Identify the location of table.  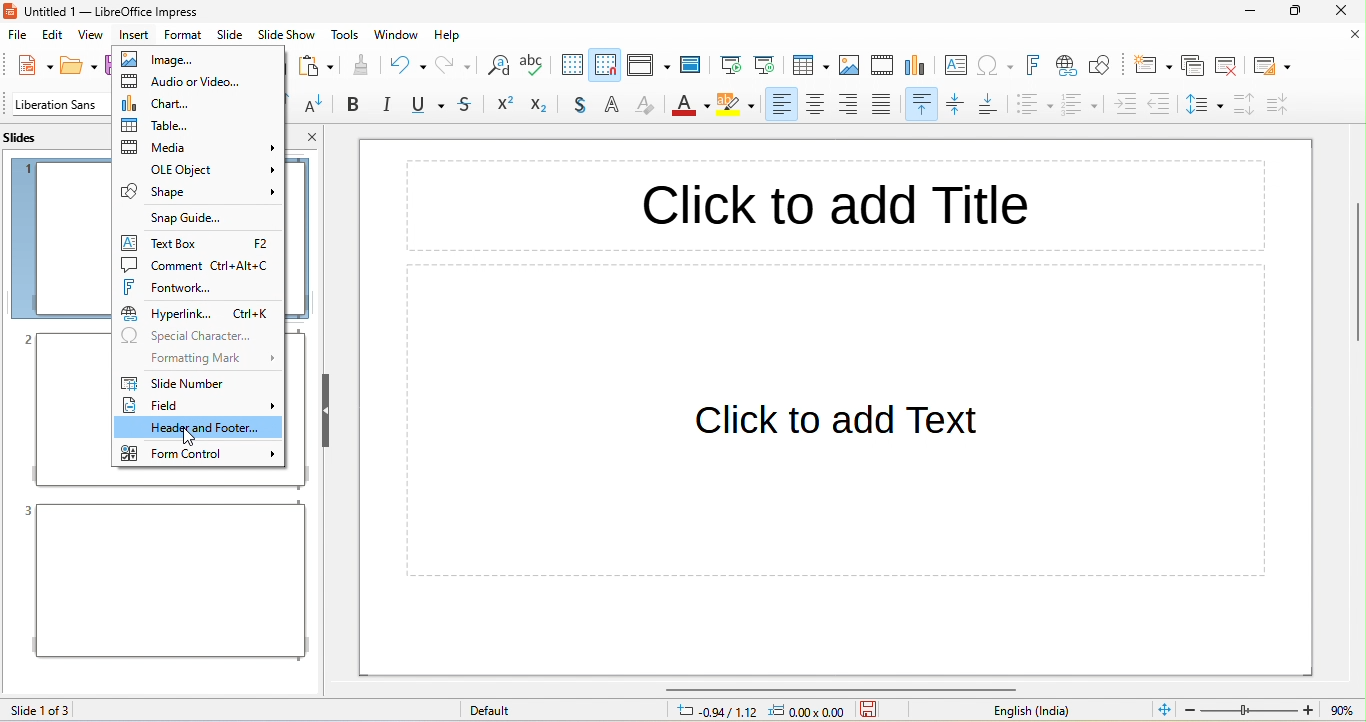
(176, 125).